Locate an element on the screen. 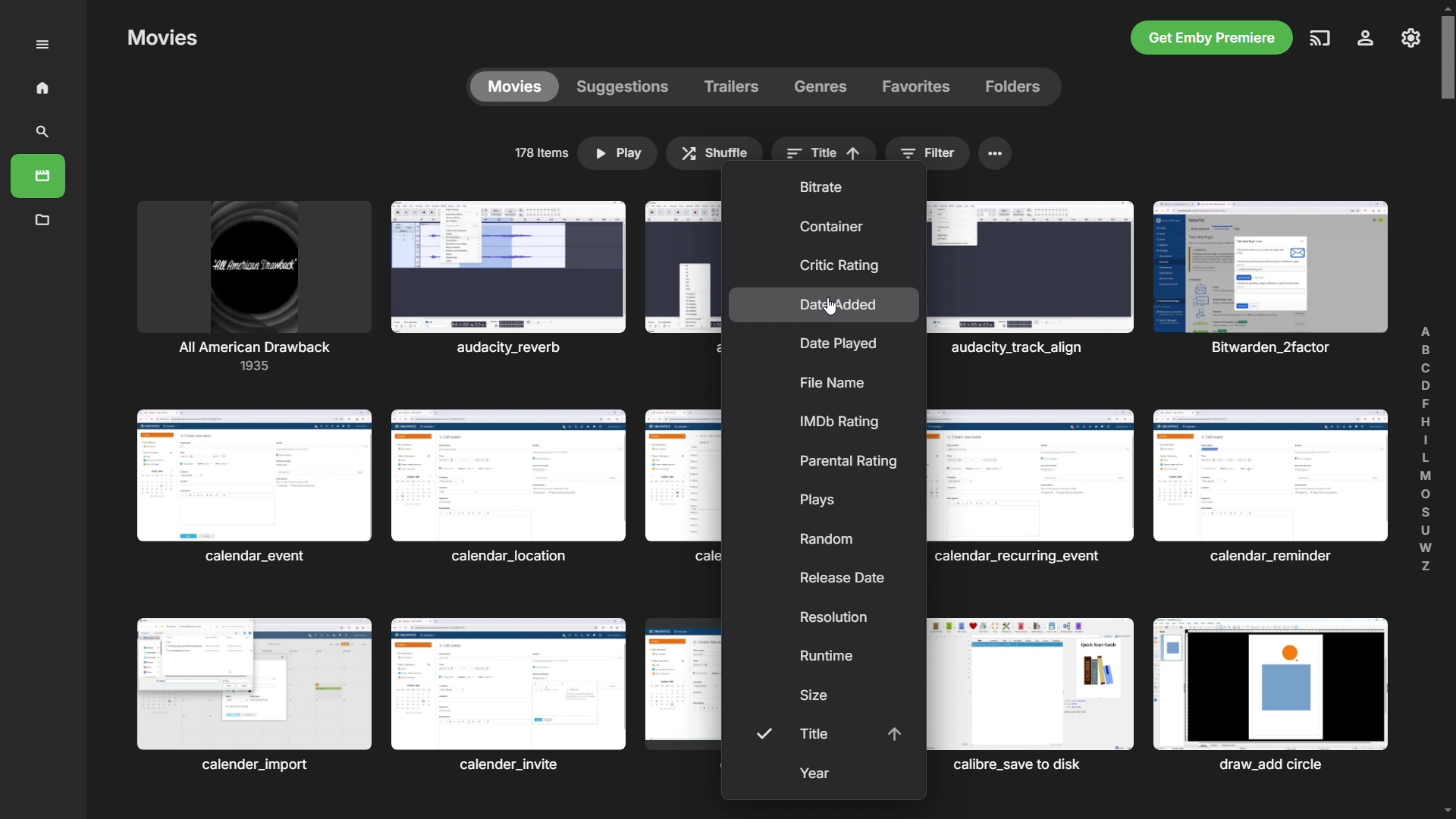 This screenshot has height=819, width=1456. resolution is located at coordinates (825, 617).